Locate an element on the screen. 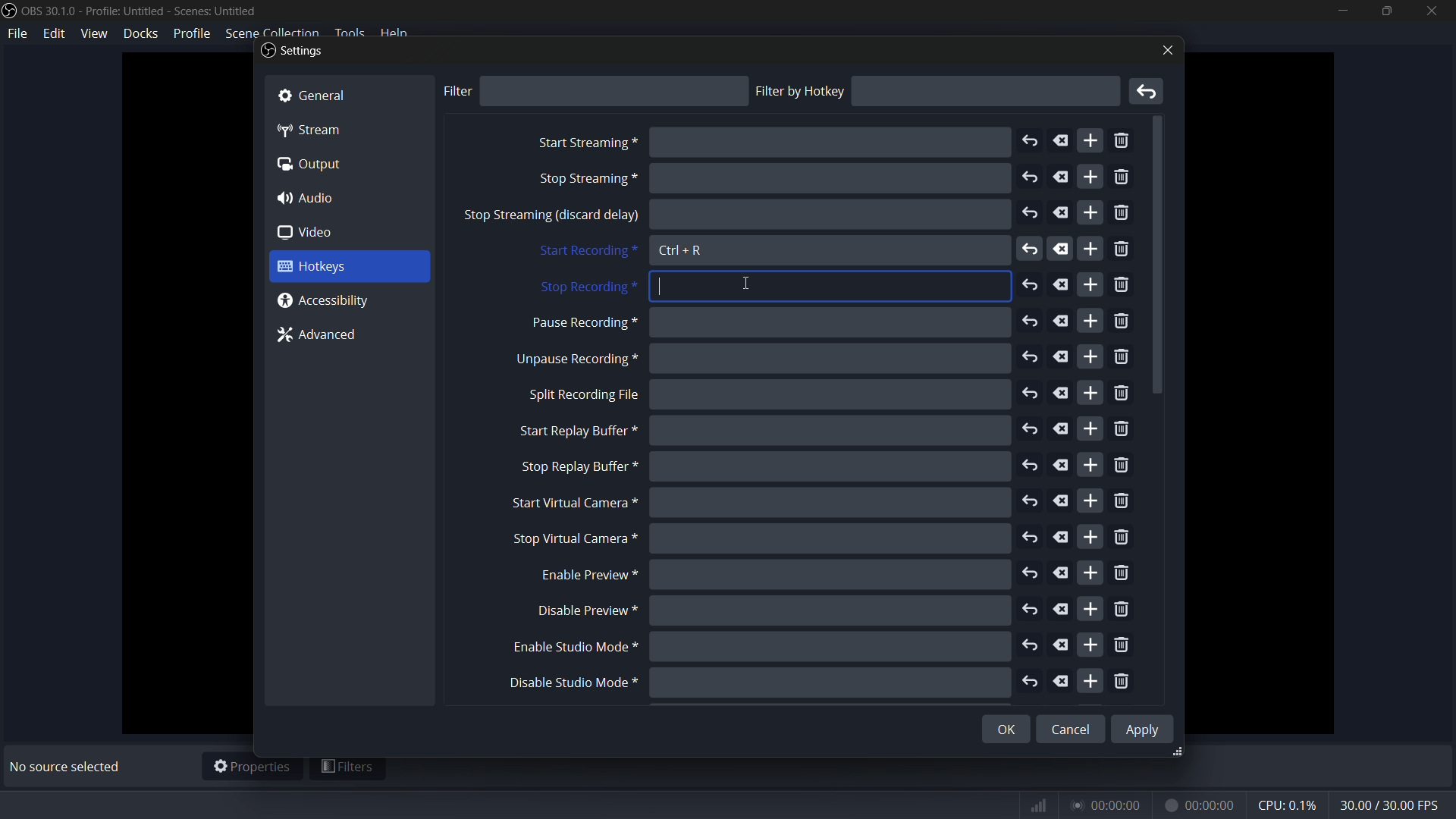 This screenshot has height=819, width=1456. delete is located at coordinates (1061, 140).